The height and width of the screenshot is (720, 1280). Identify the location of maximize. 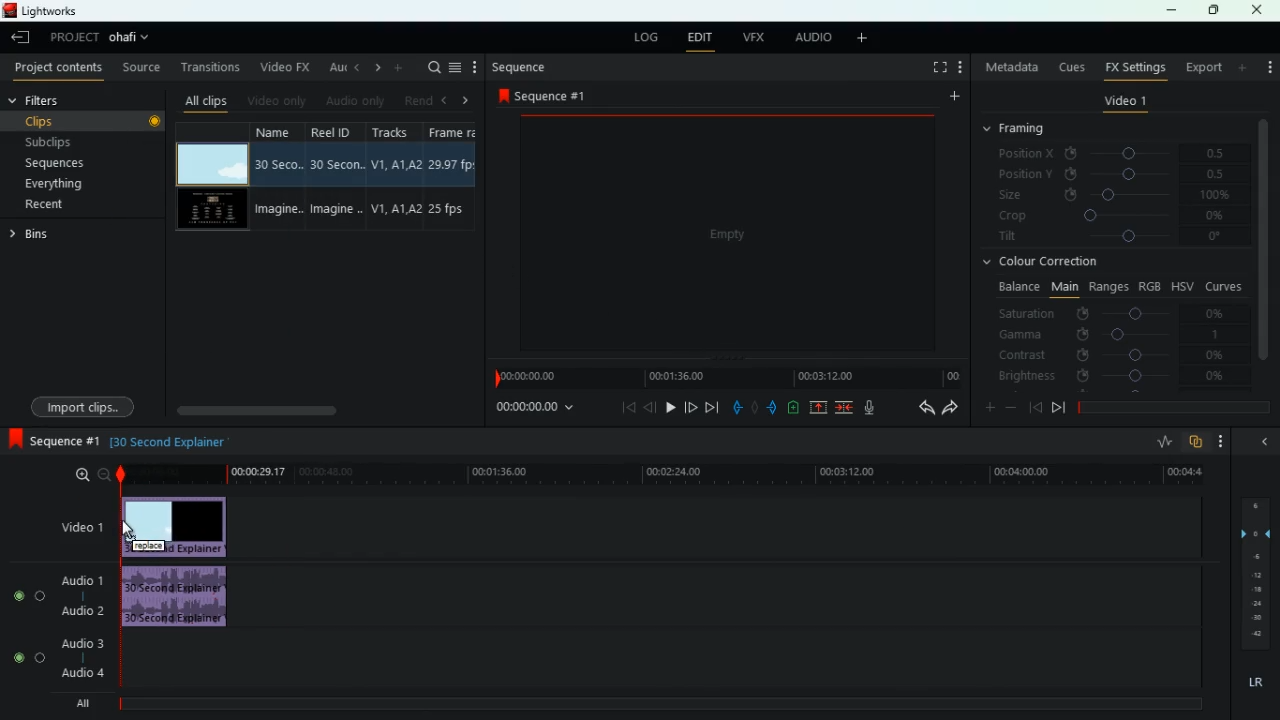
(1215, 10).